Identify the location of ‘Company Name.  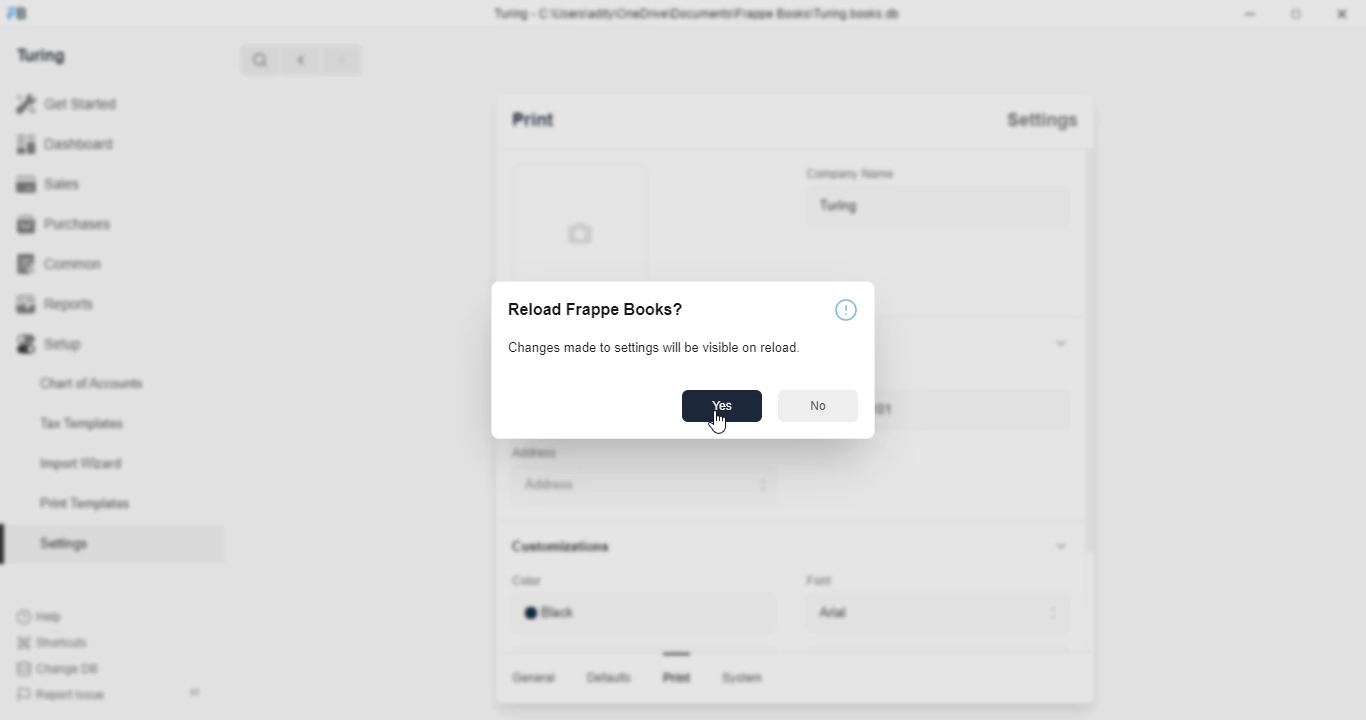
(853, 175).